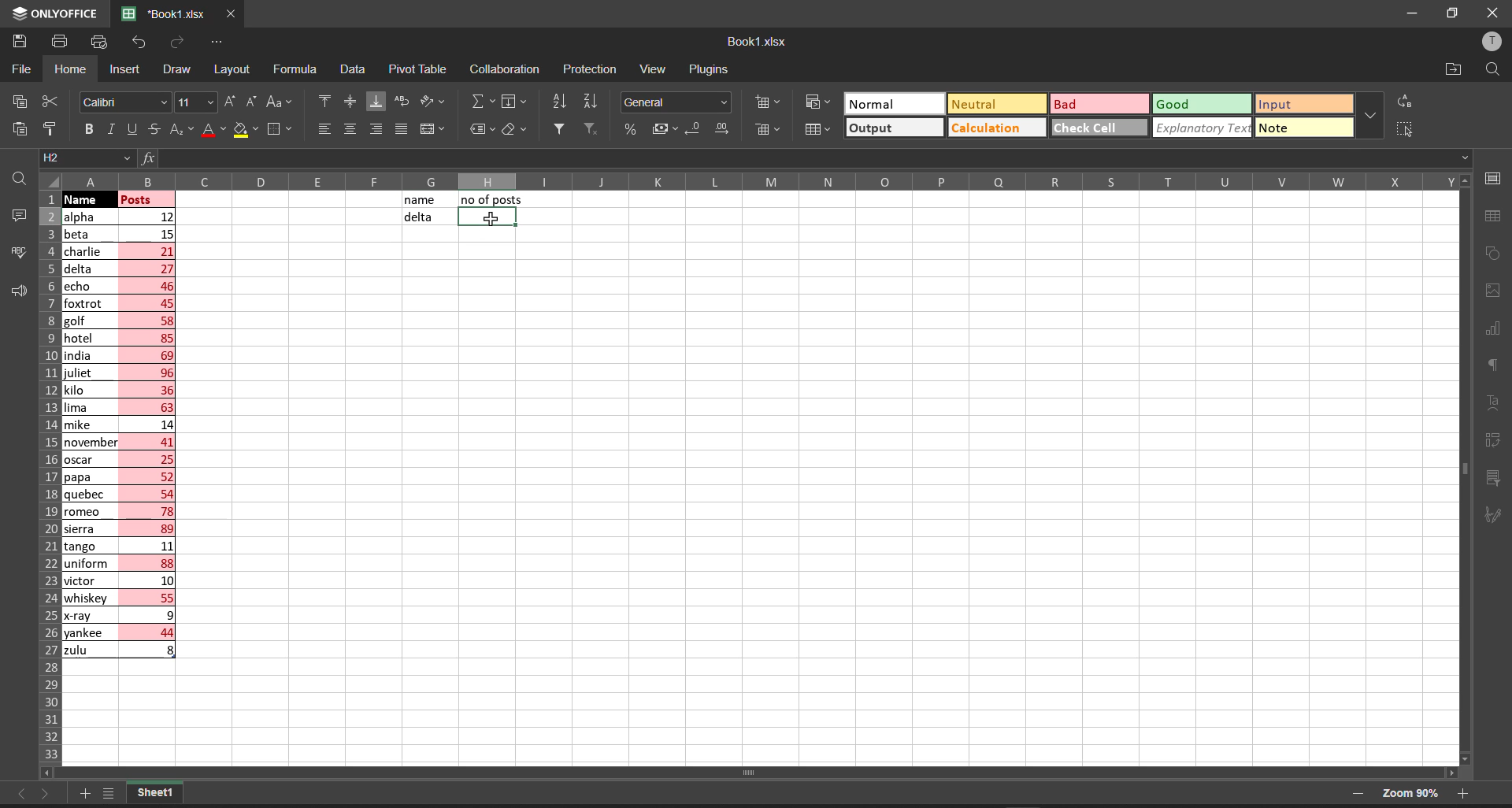 The height and width of the screenshot is (808, 1512). What do you see at coordinates (1490, 13) in the screenshot?
I see `close` at bounding box center [1490, 13].